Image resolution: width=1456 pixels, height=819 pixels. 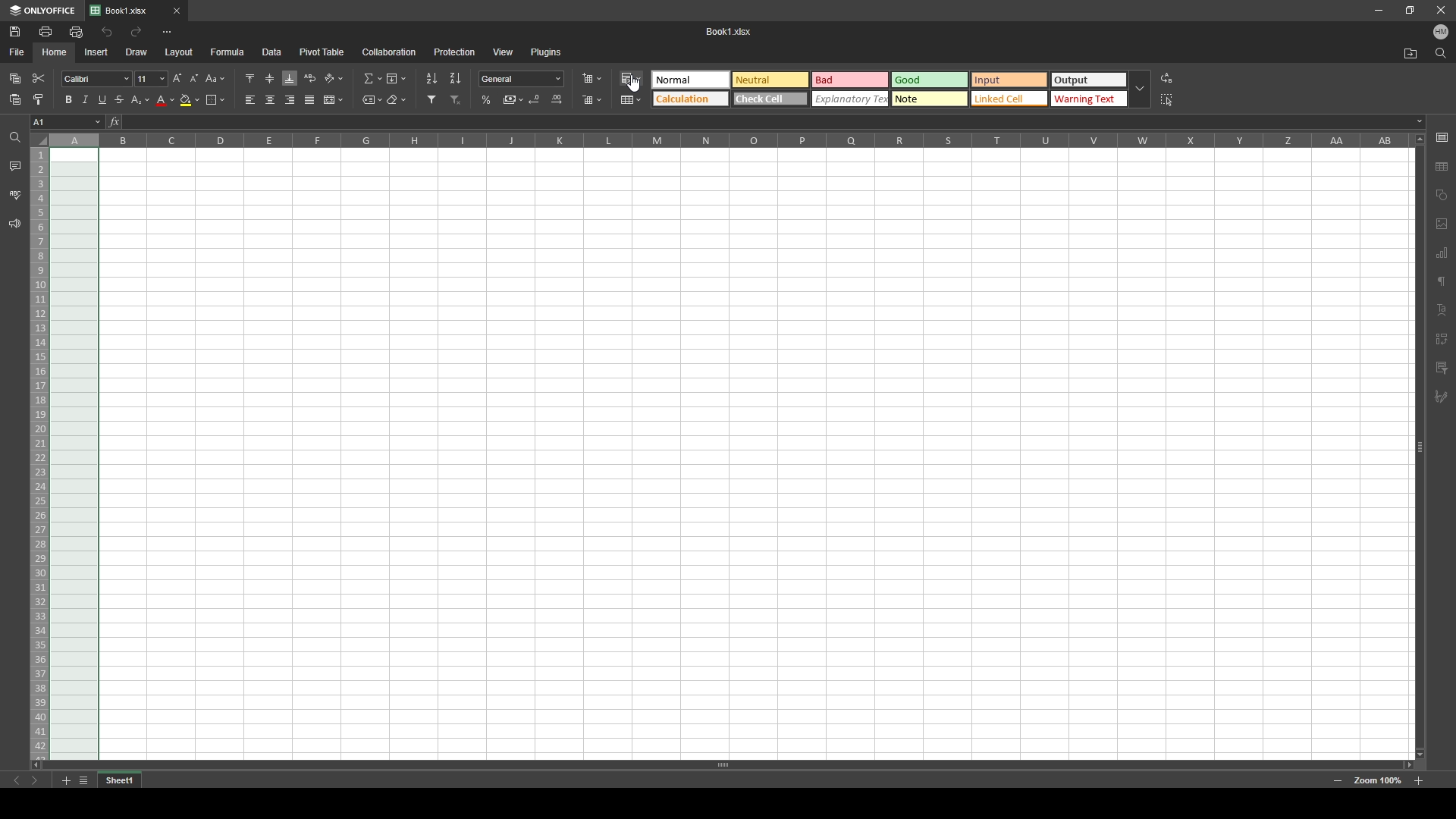 What do you see at coordinates (39, 79) in the screenshot?
I see `cut` at bounding box center [39, 79].